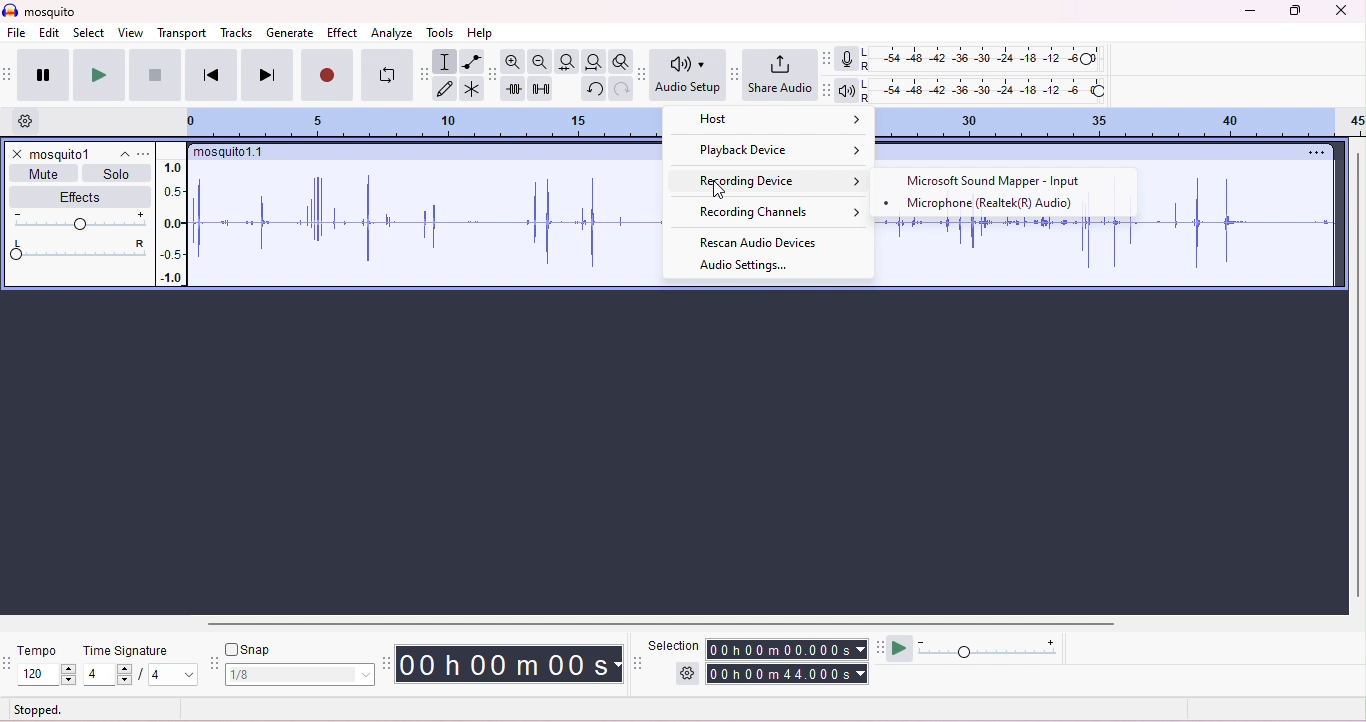 The image size is (1366, 722). Describe the element at coordinates (97, 74) in the screenshot. I see `play` at that location.